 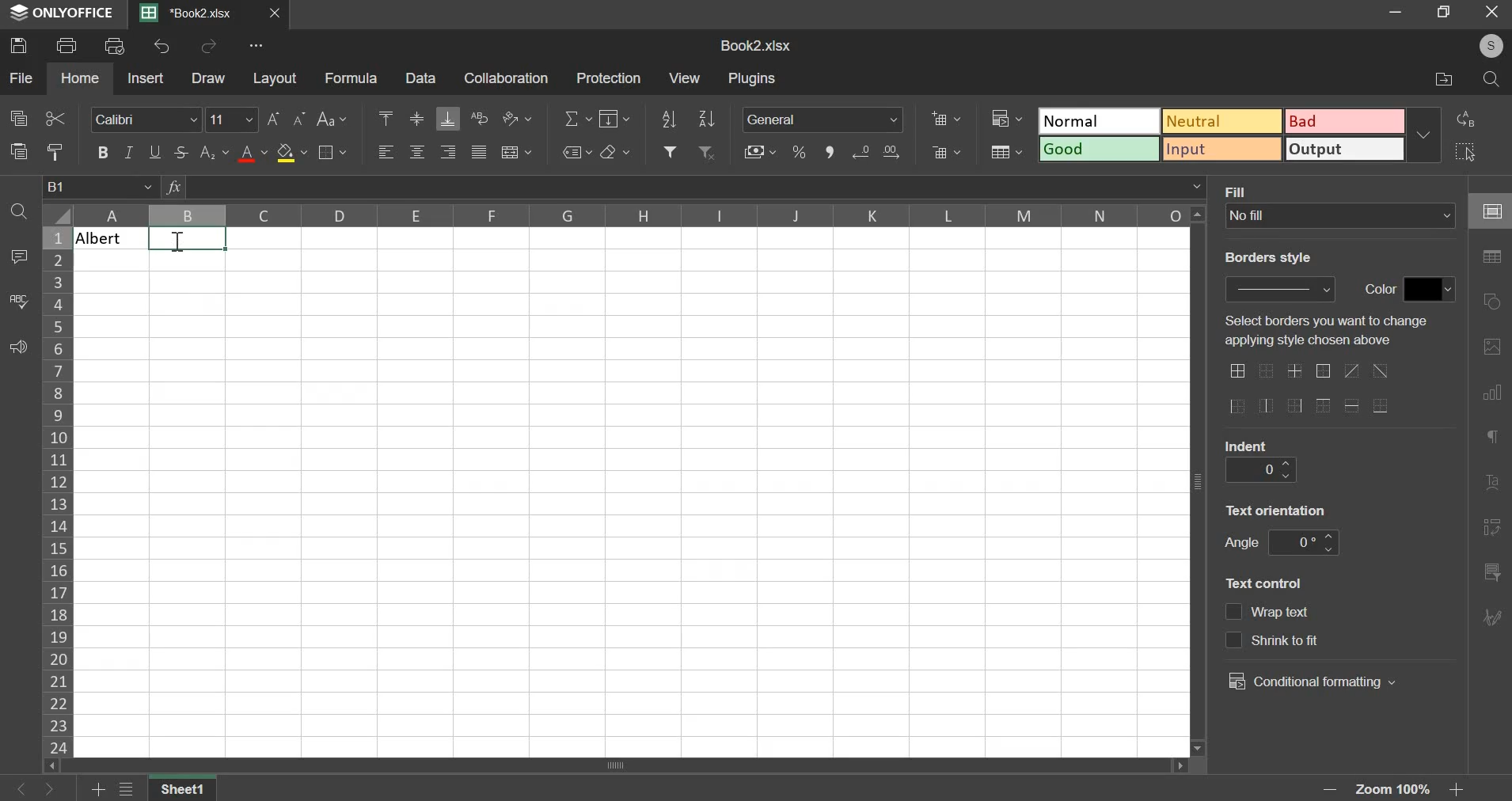 I want to click on collaboration, so click(x=507, y=78).